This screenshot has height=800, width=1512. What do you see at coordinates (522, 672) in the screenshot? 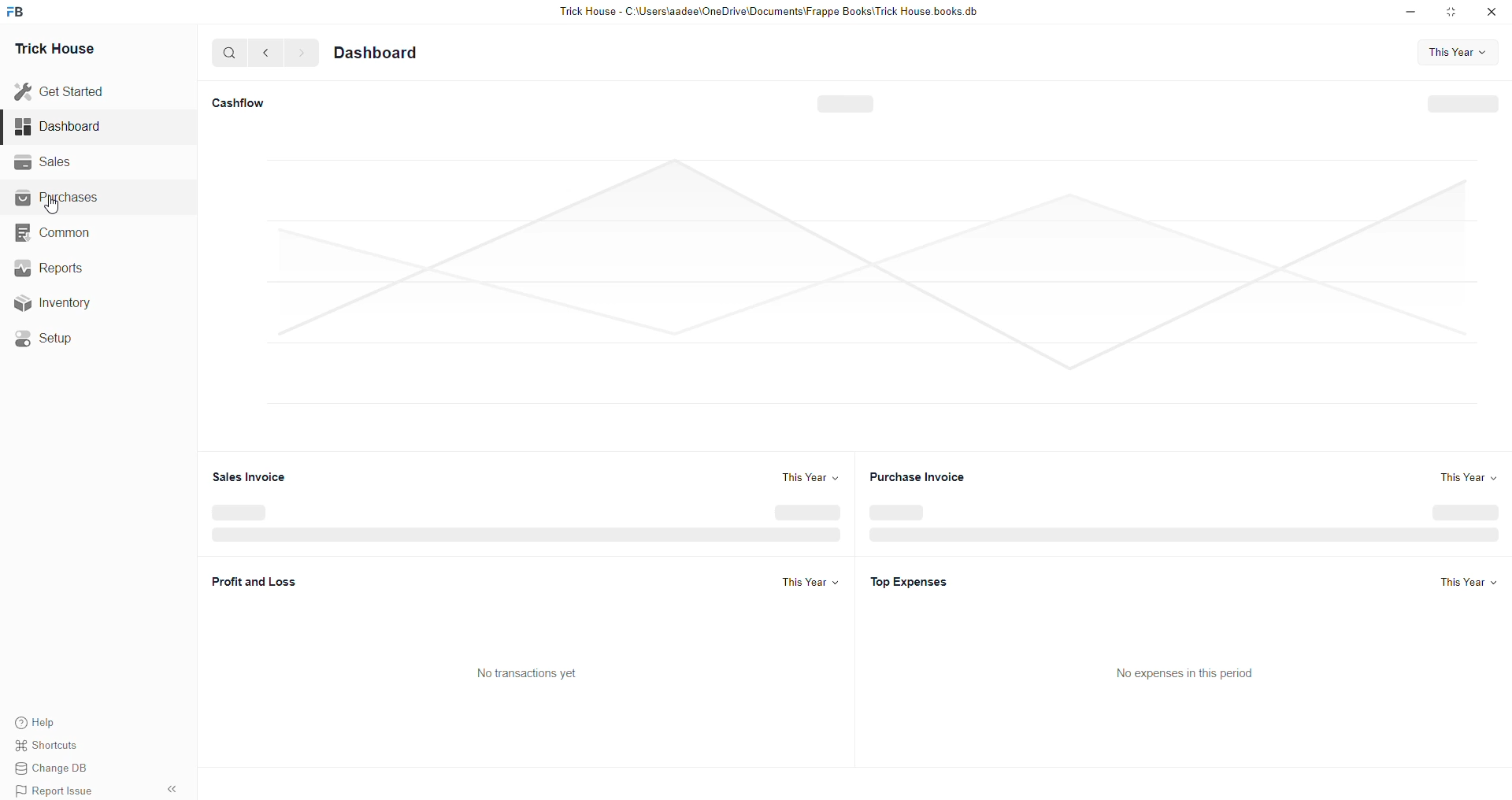
I see `No transactions yet` at bounding box center [522, 672].